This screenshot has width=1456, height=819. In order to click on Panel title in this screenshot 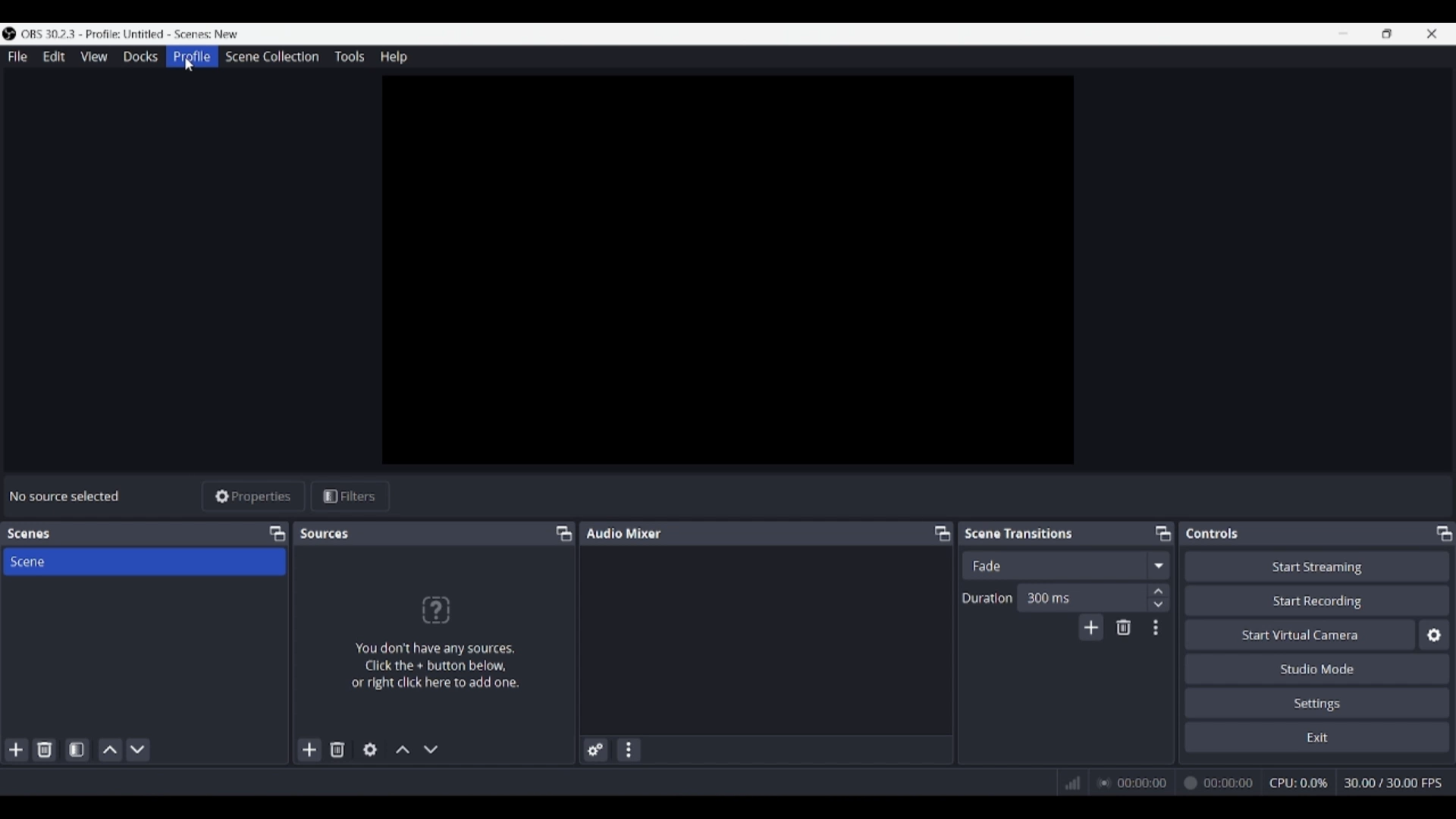, I will do `click(1213, 533)`.